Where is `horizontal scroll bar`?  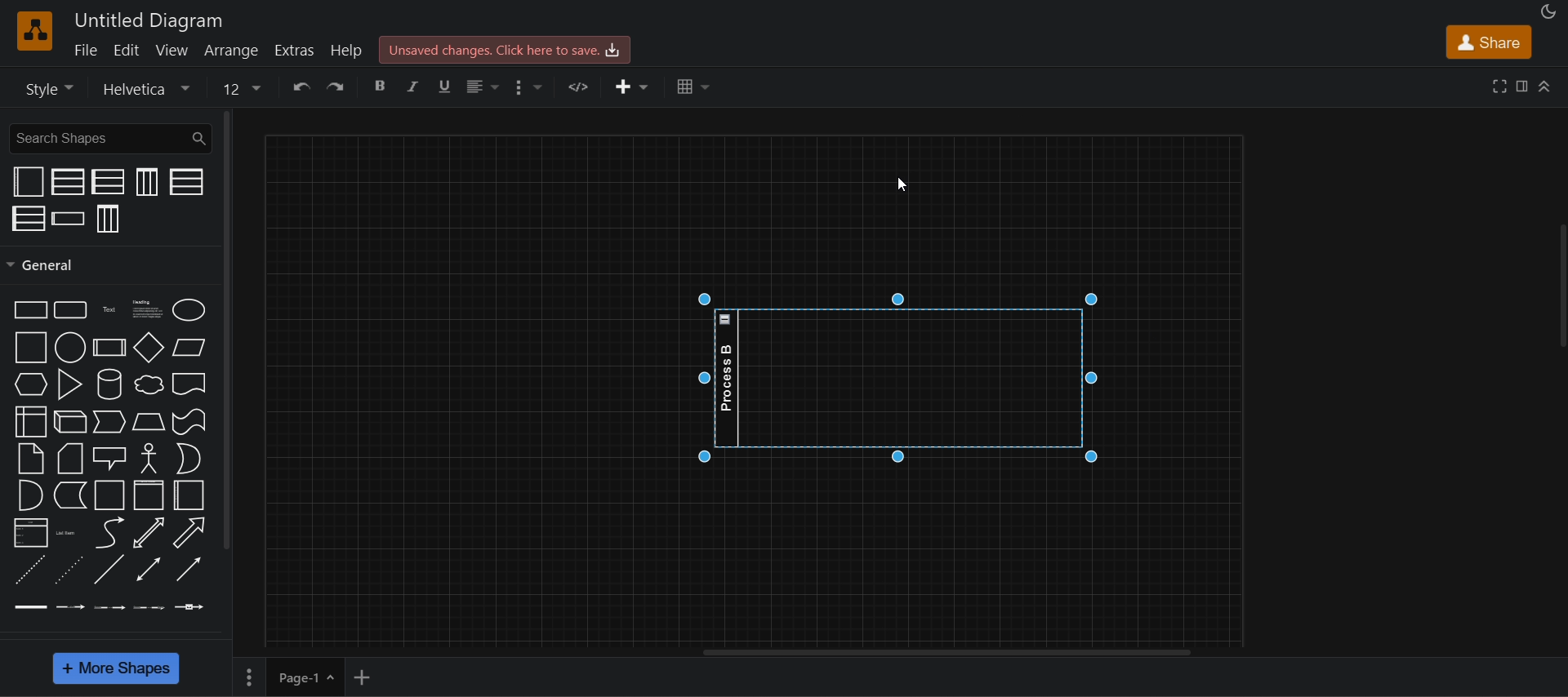
horizontal scroll bar is located at coordinates (943, 654).